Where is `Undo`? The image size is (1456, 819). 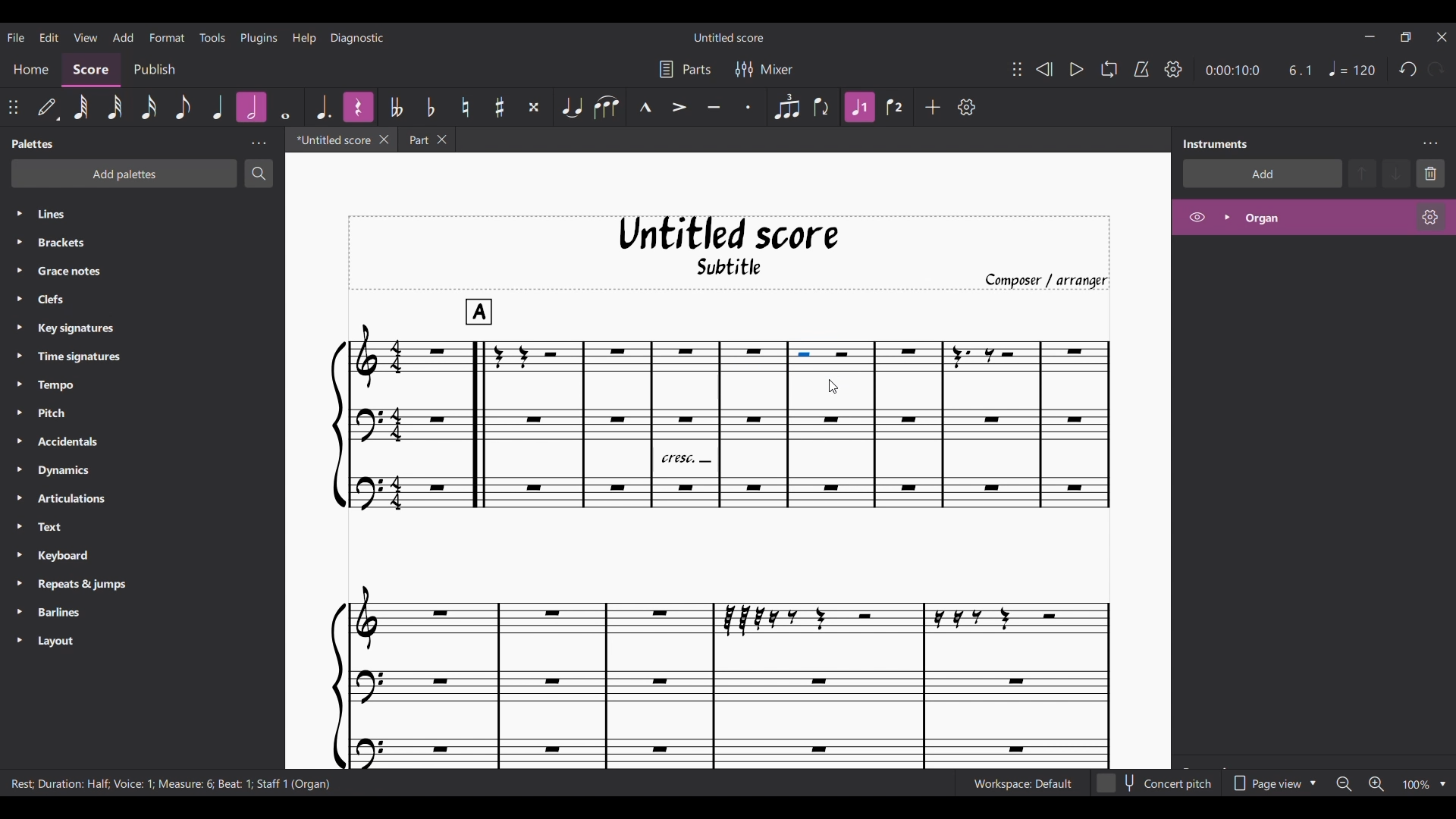 Undo is located at coordinates (1408, 69).